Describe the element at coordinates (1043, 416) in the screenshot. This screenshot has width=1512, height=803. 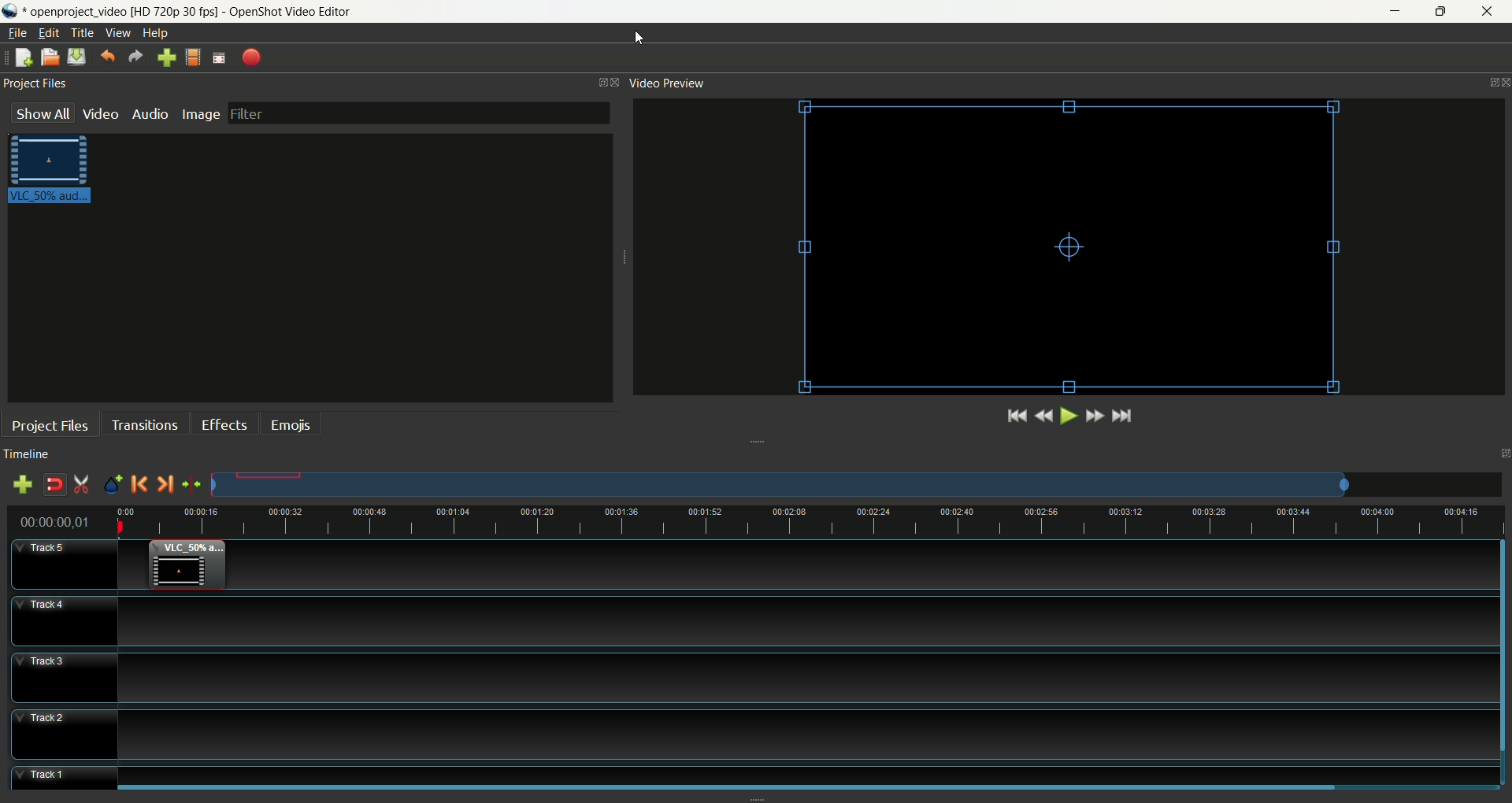
I see `rewind` at that location.